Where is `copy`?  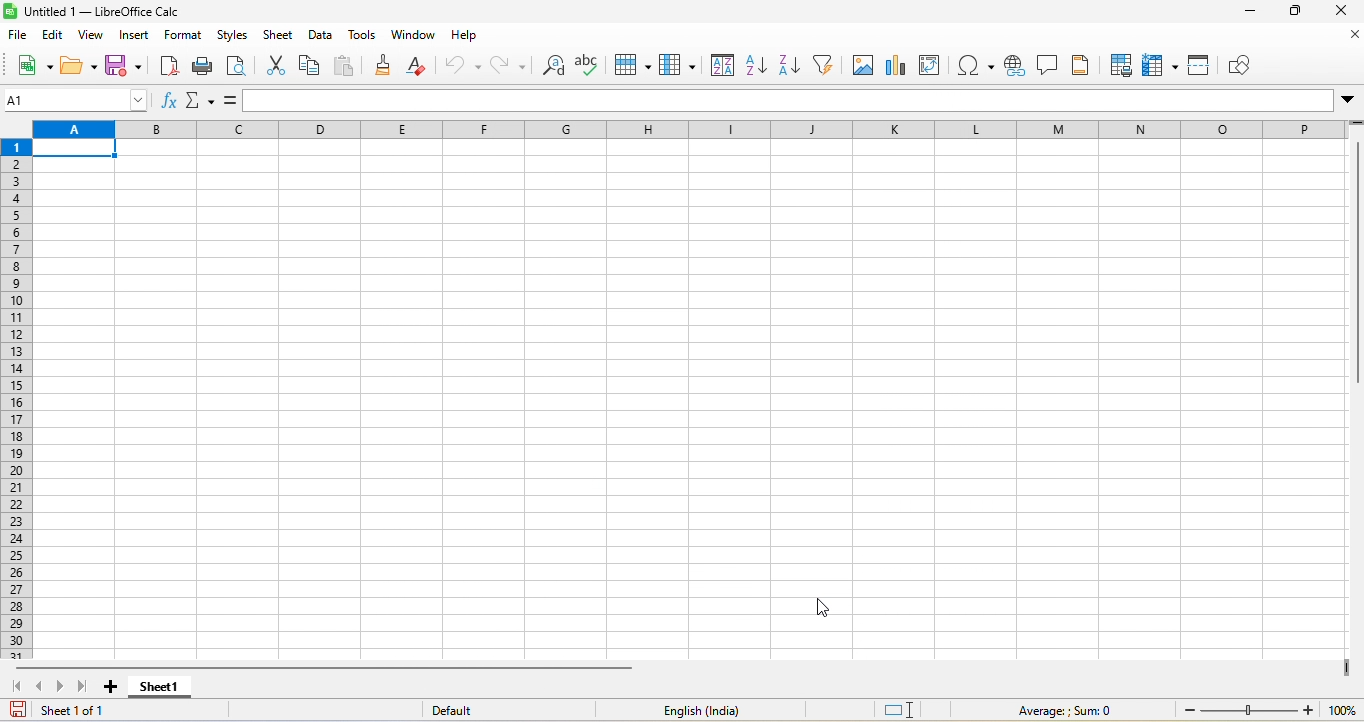 copy is located at coordinates (311, 68).